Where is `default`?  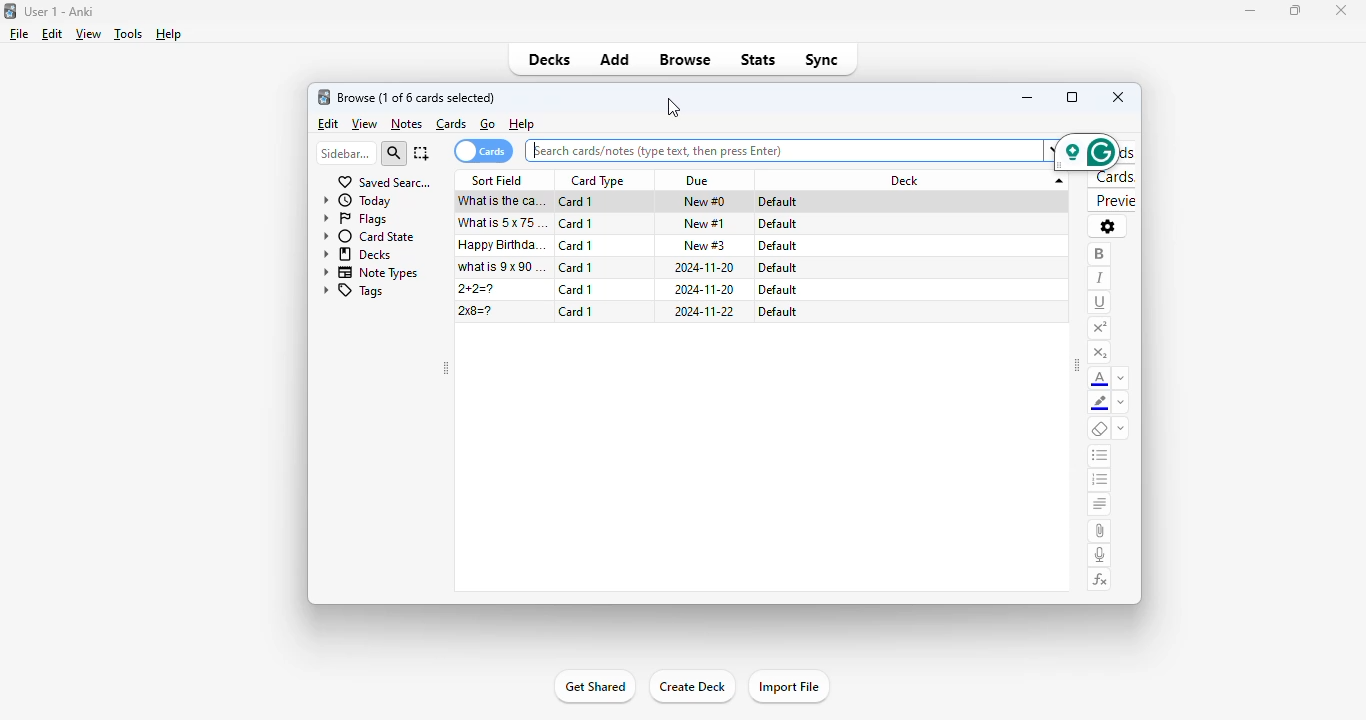
default is located at coordinates (778, 246).